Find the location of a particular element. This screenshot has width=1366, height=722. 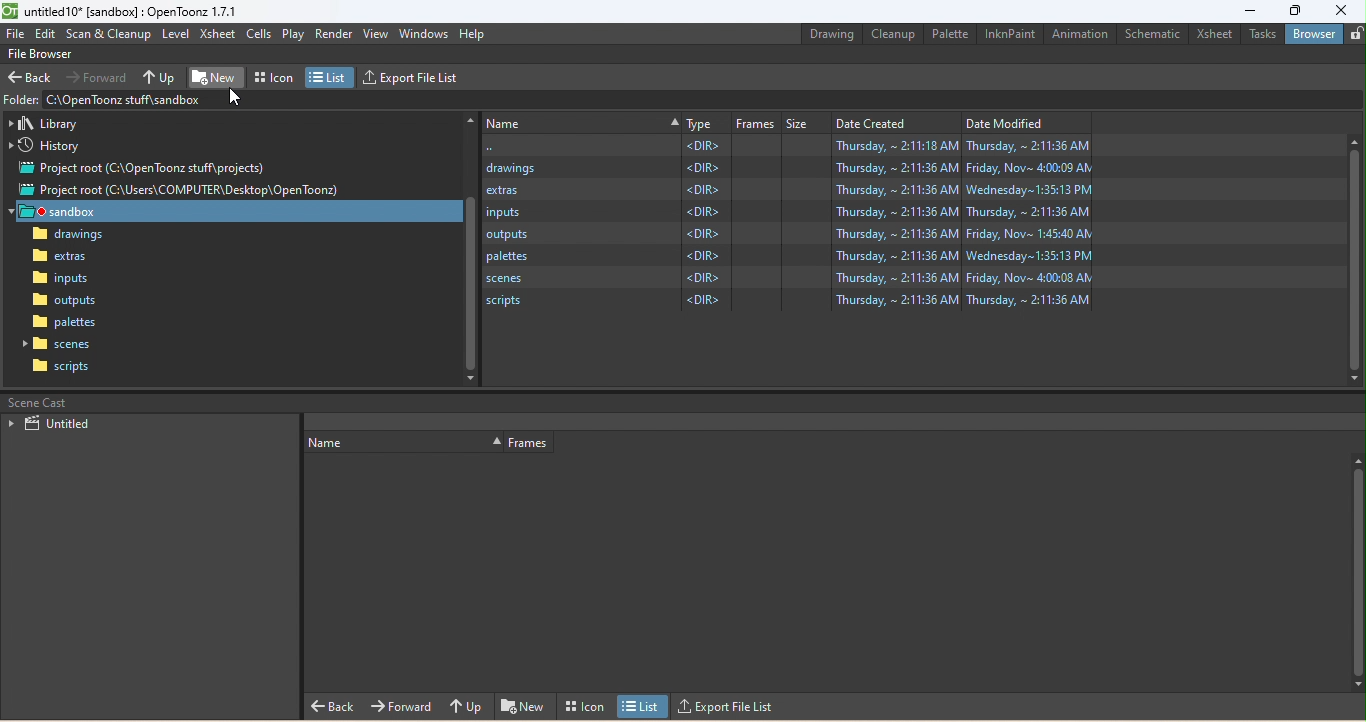

Level is located at coordinates (177, 35).